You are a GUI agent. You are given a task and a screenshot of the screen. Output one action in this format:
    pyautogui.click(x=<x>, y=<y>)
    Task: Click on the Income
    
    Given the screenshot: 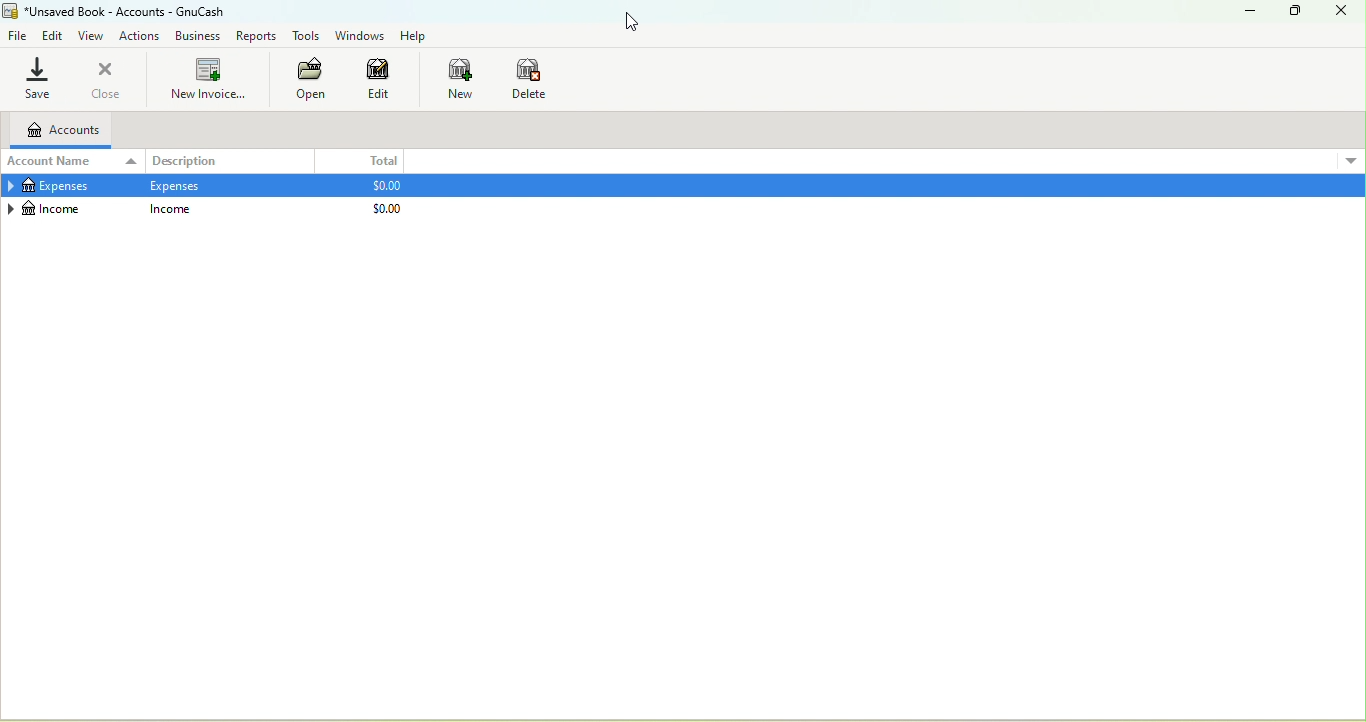 What is the action you would take?
    pyautogui.click(x=170, y=208)
    